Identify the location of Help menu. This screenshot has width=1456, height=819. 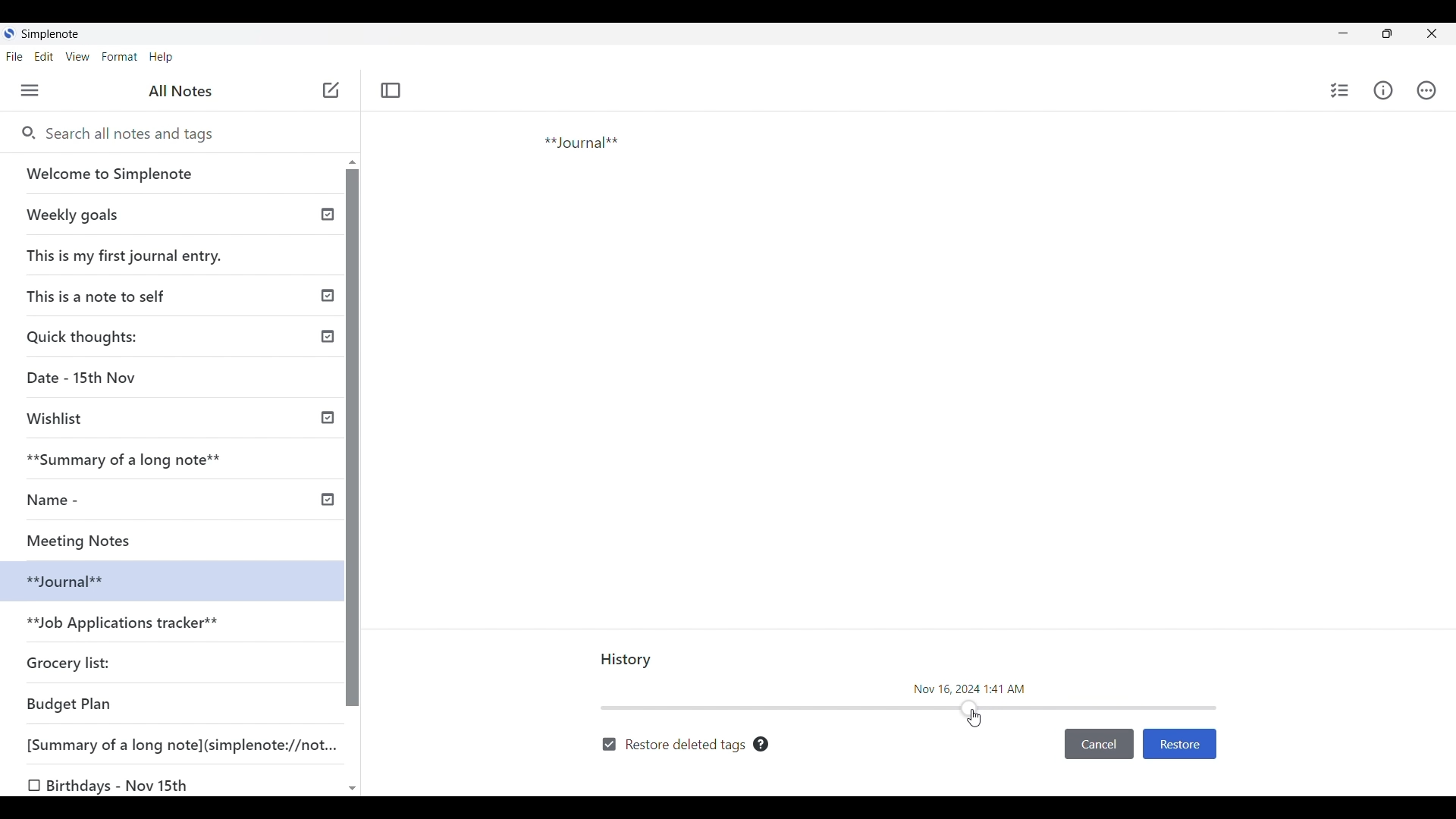
(162, 58).